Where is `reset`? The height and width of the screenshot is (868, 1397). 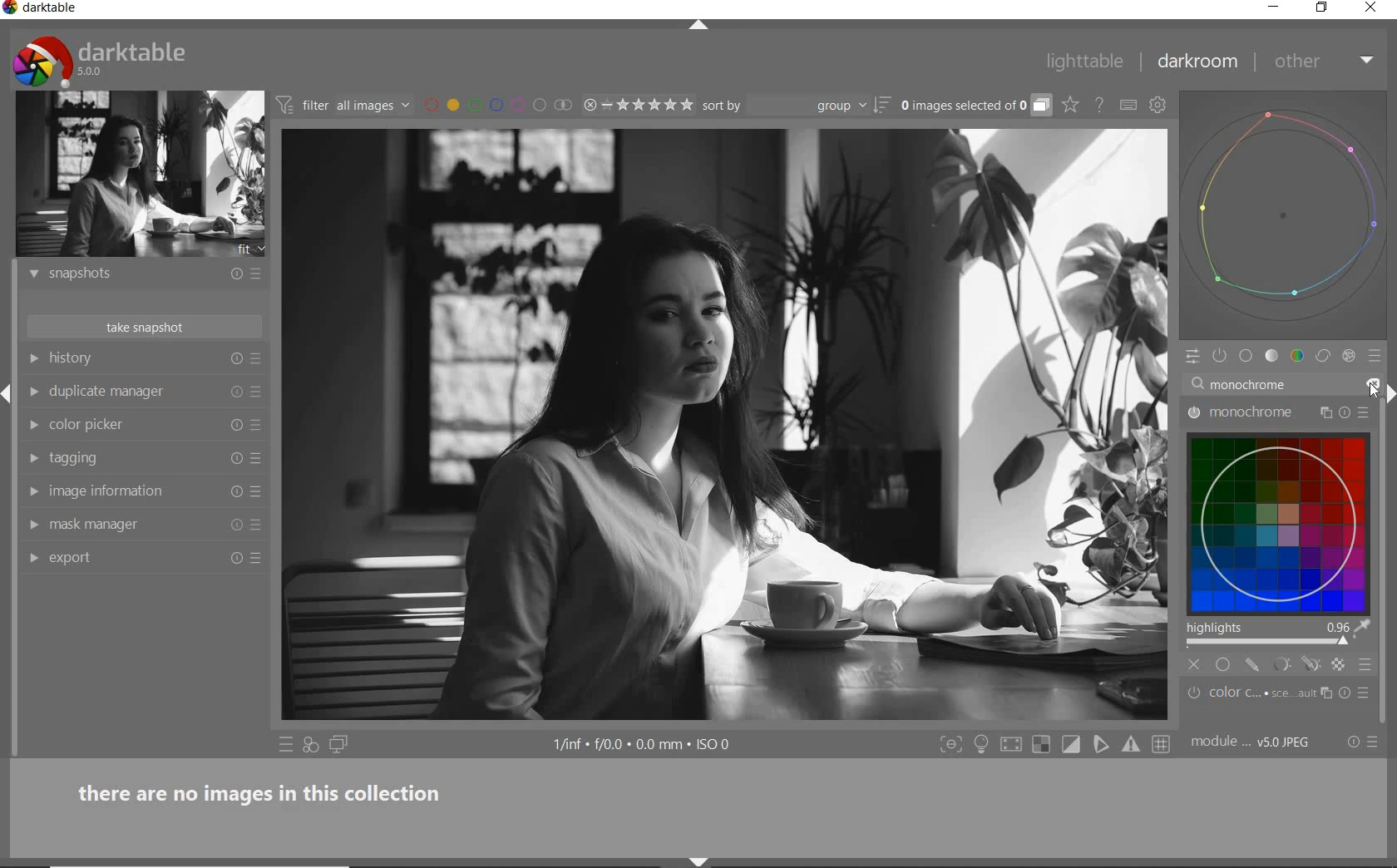
reset is located at coordinates (236, 423).